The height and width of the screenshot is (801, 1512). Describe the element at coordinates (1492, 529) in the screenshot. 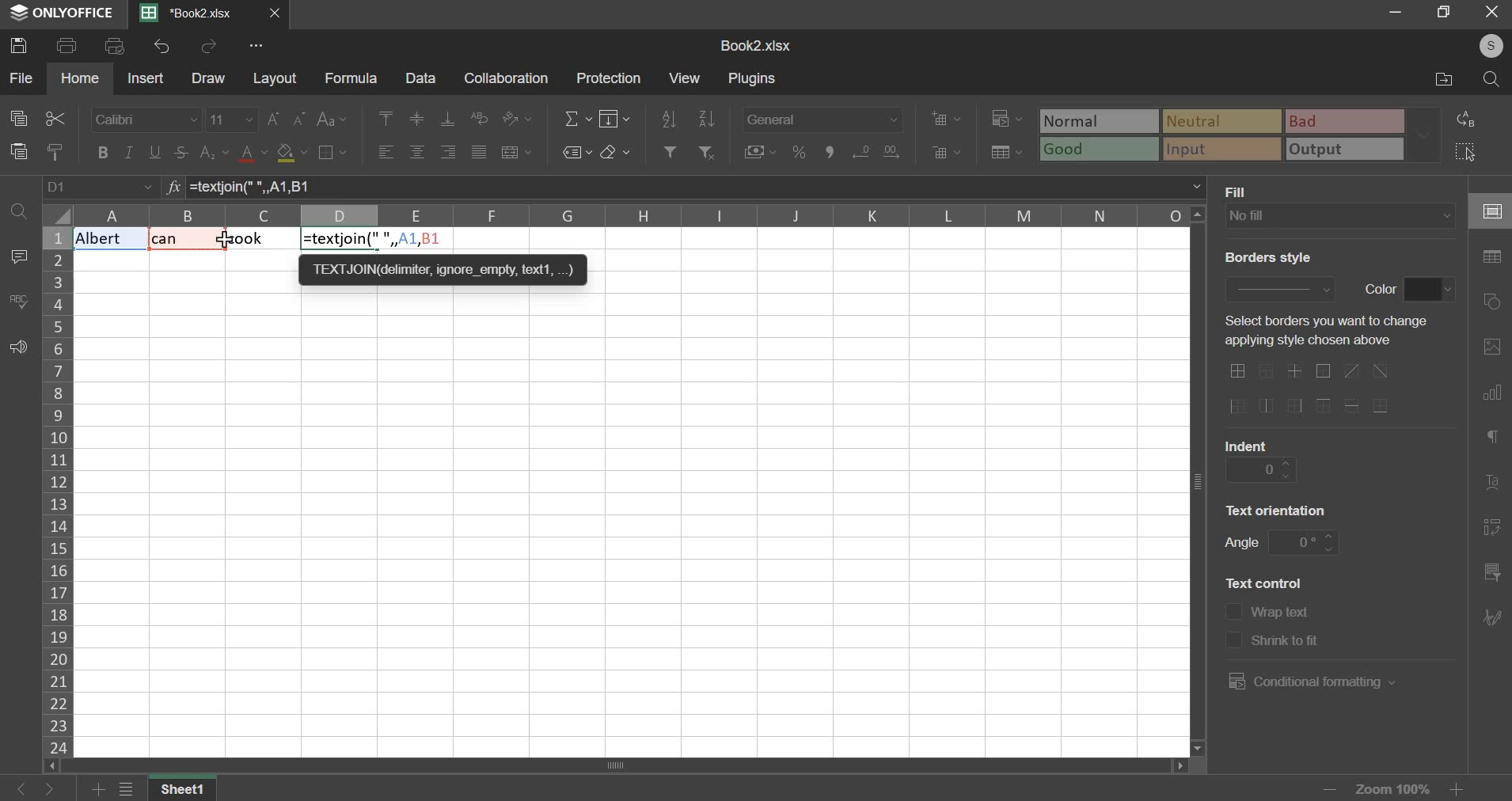

I see `pivot table` at that location.